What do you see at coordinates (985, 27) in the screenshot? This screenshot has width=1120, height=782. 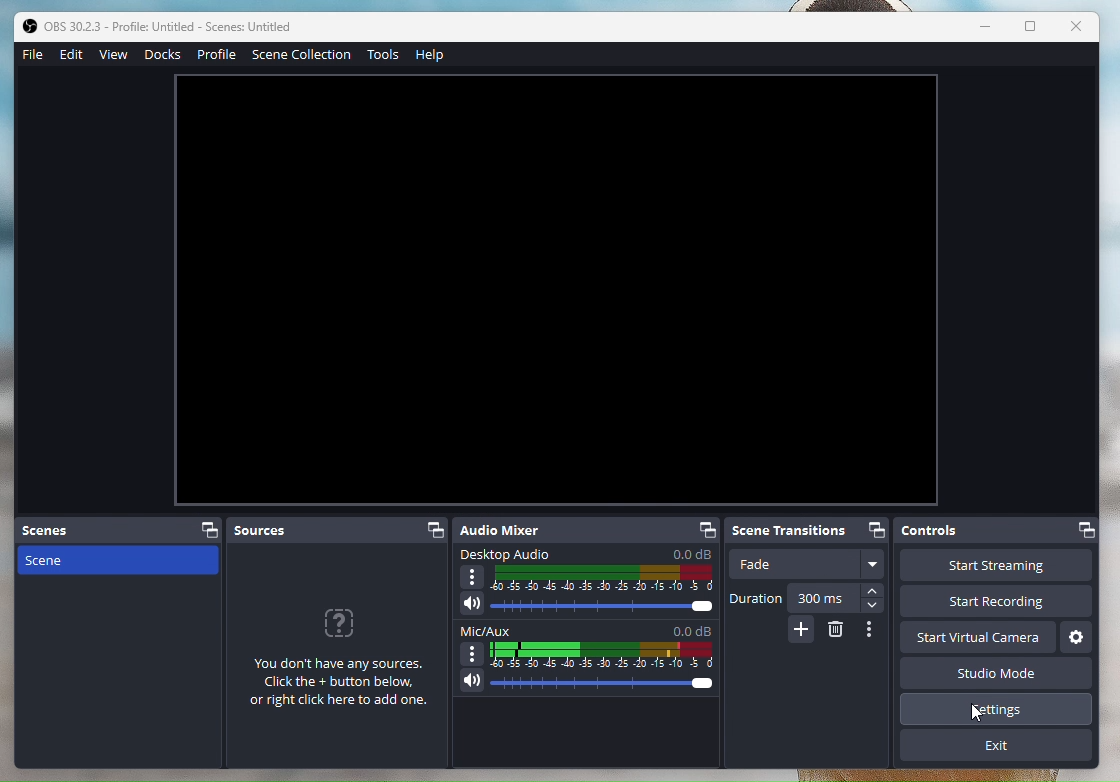 I see `Minimize` at bounding box center [985, 27].